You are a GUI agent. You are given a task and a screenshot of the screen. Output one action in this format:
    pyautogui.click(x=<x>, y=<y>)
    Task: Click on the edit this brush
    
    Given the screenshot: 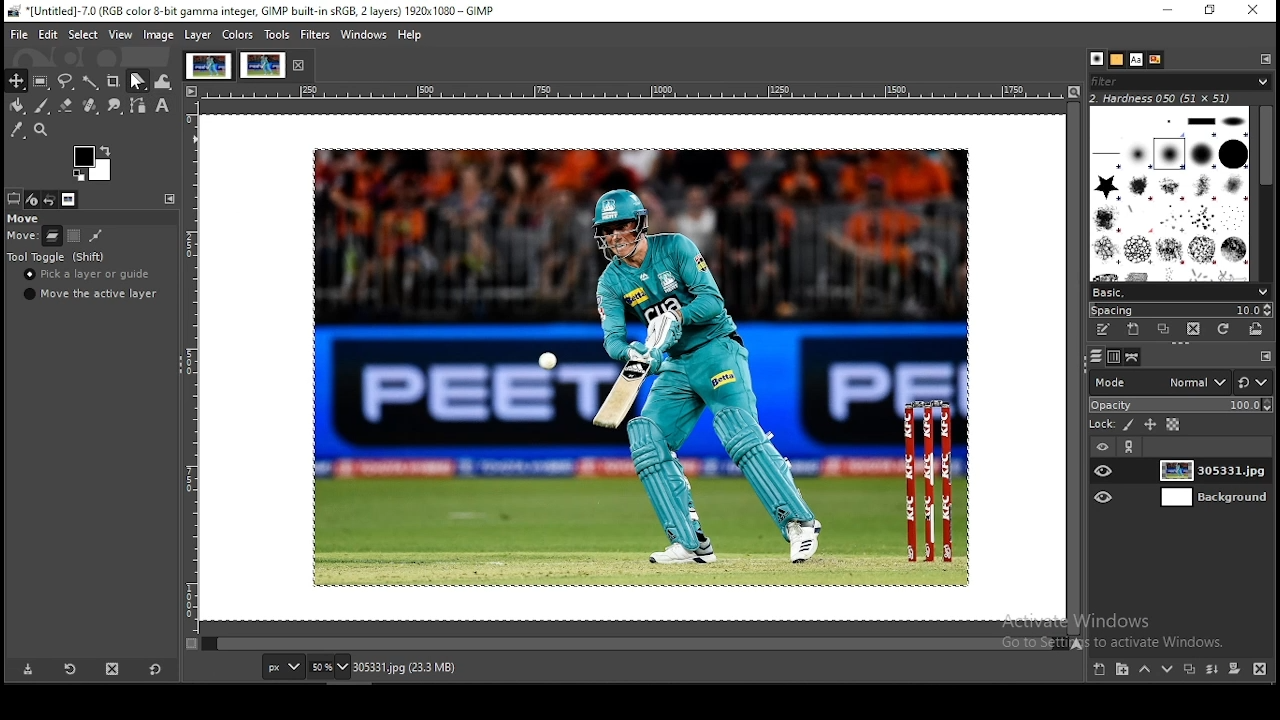 What is the action you would take?
    pyautogui.click(x=1104, y=330)
    